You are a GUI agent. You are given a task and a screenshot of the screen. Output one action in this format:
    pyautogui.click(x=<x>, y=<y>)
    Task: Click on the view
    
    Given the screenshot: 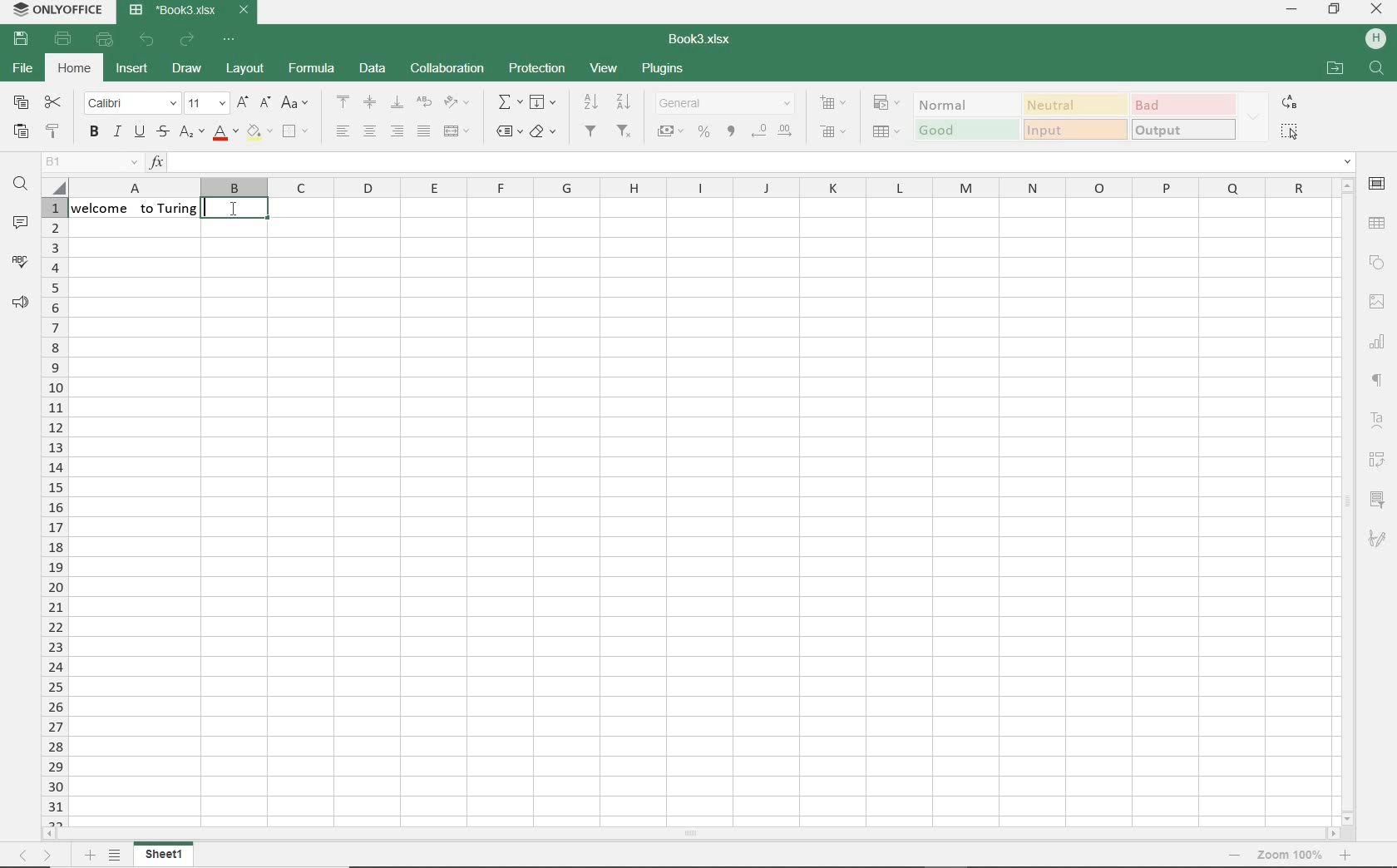 What is the action you would take?
    pyautogui.click(x=605, y=70)
    